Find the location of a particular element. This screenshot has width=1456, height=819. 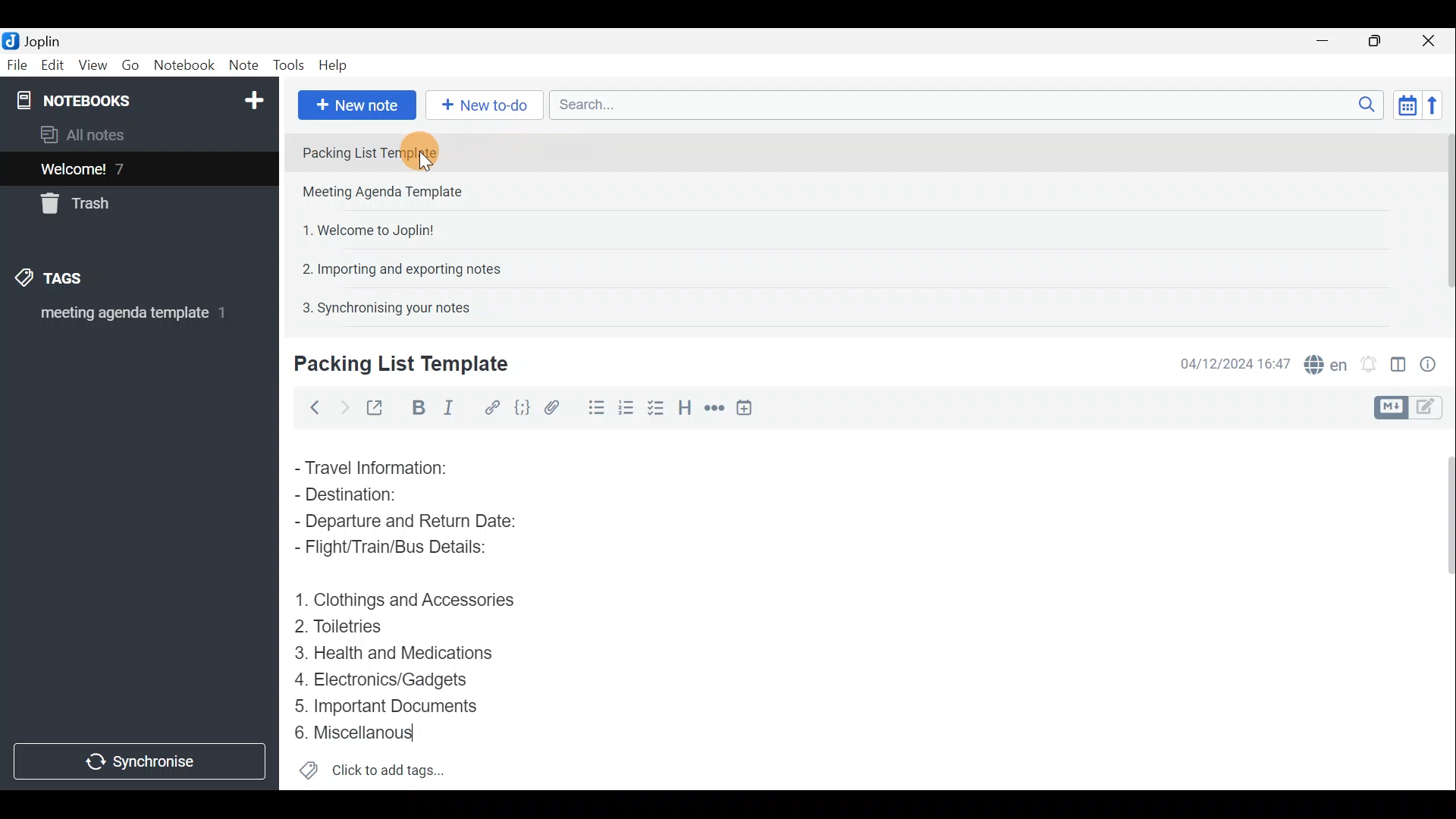

Bulleted list is located at coordinates (591, 410).